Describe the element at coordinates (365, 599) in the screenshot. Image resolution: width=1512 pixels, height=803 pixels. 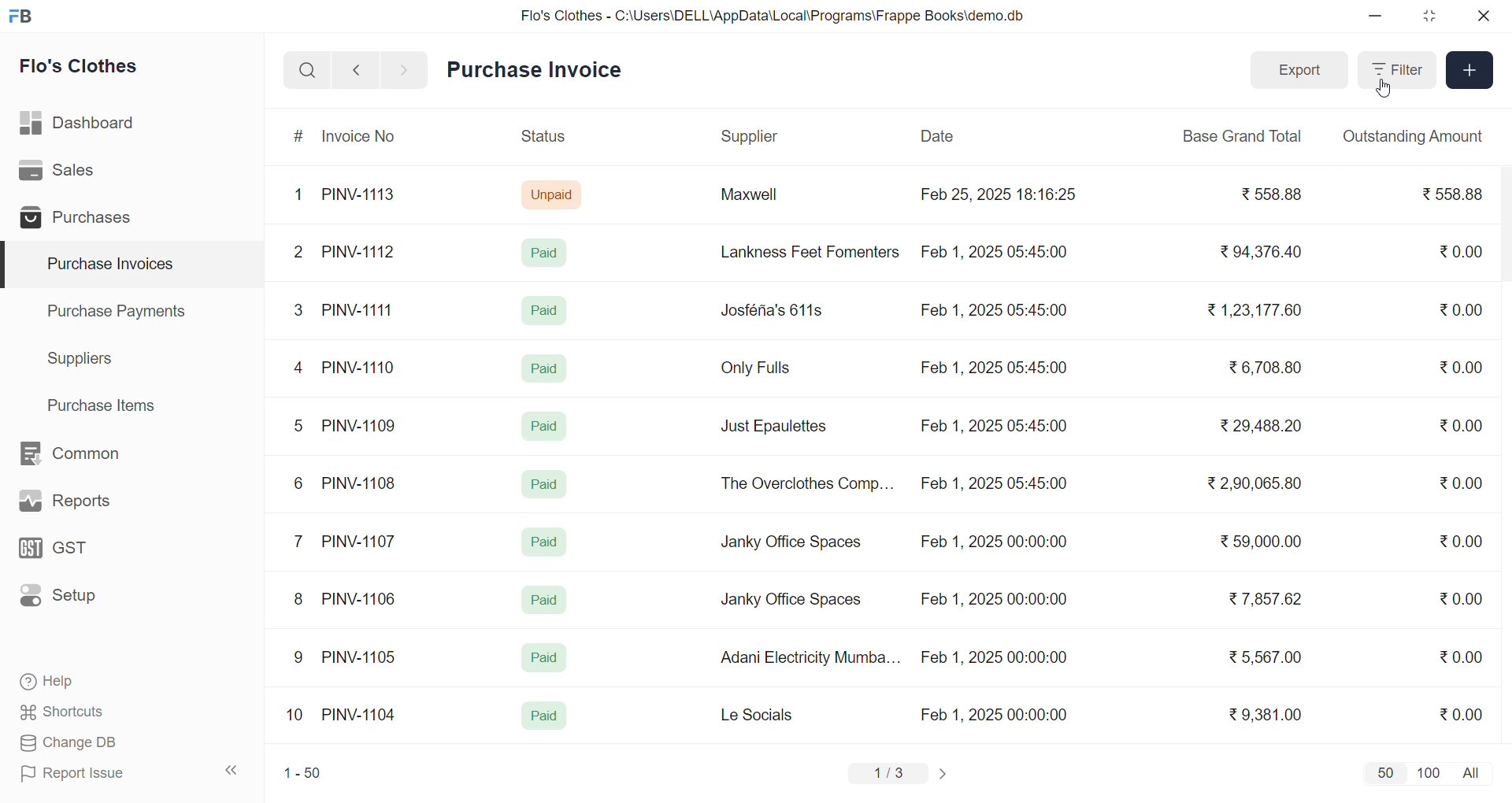
I see `PINV-1106` at that location.